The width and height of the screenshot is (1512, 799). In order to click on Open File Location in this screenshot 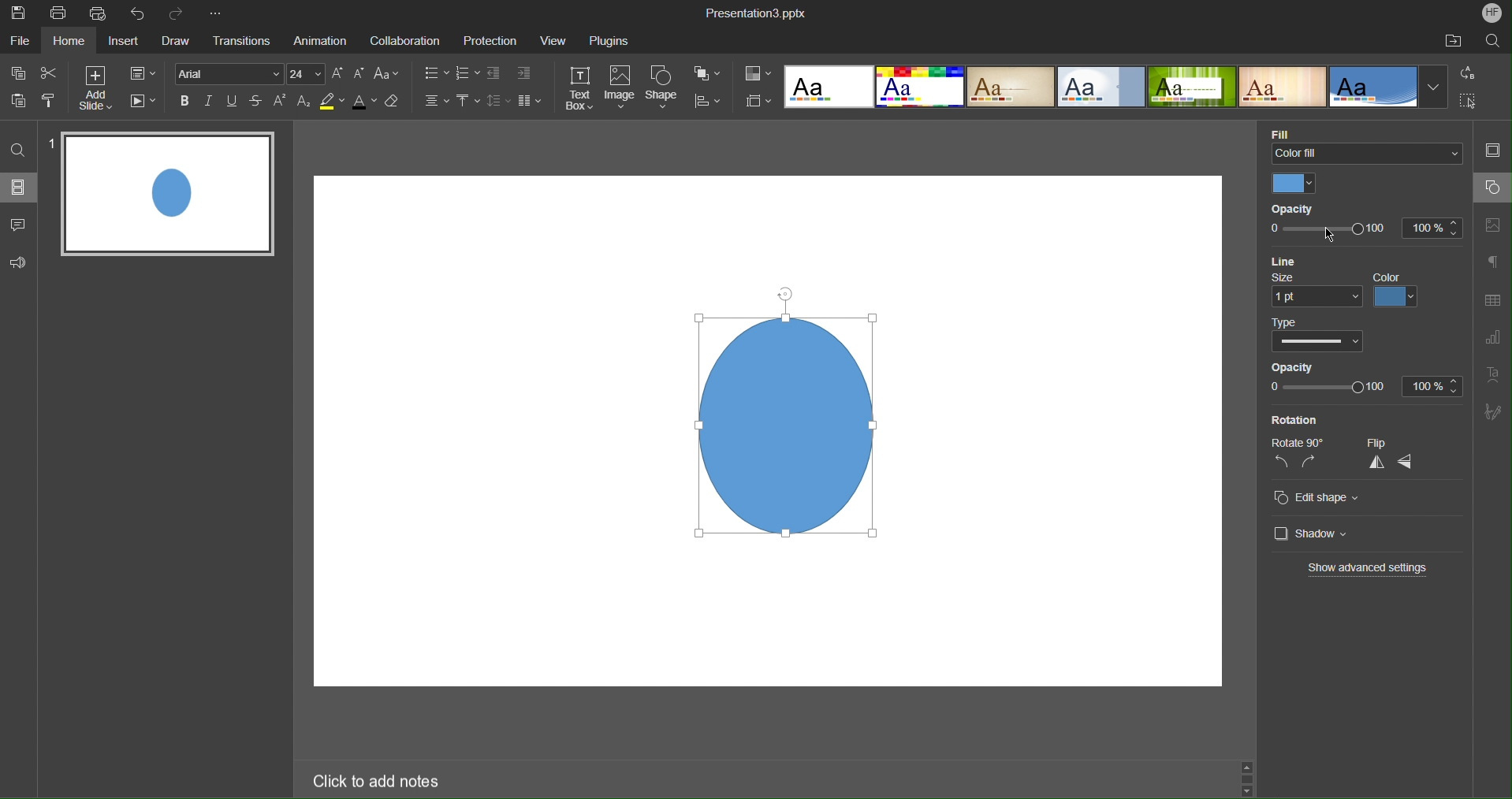, I will do `click(1451, 41)`.